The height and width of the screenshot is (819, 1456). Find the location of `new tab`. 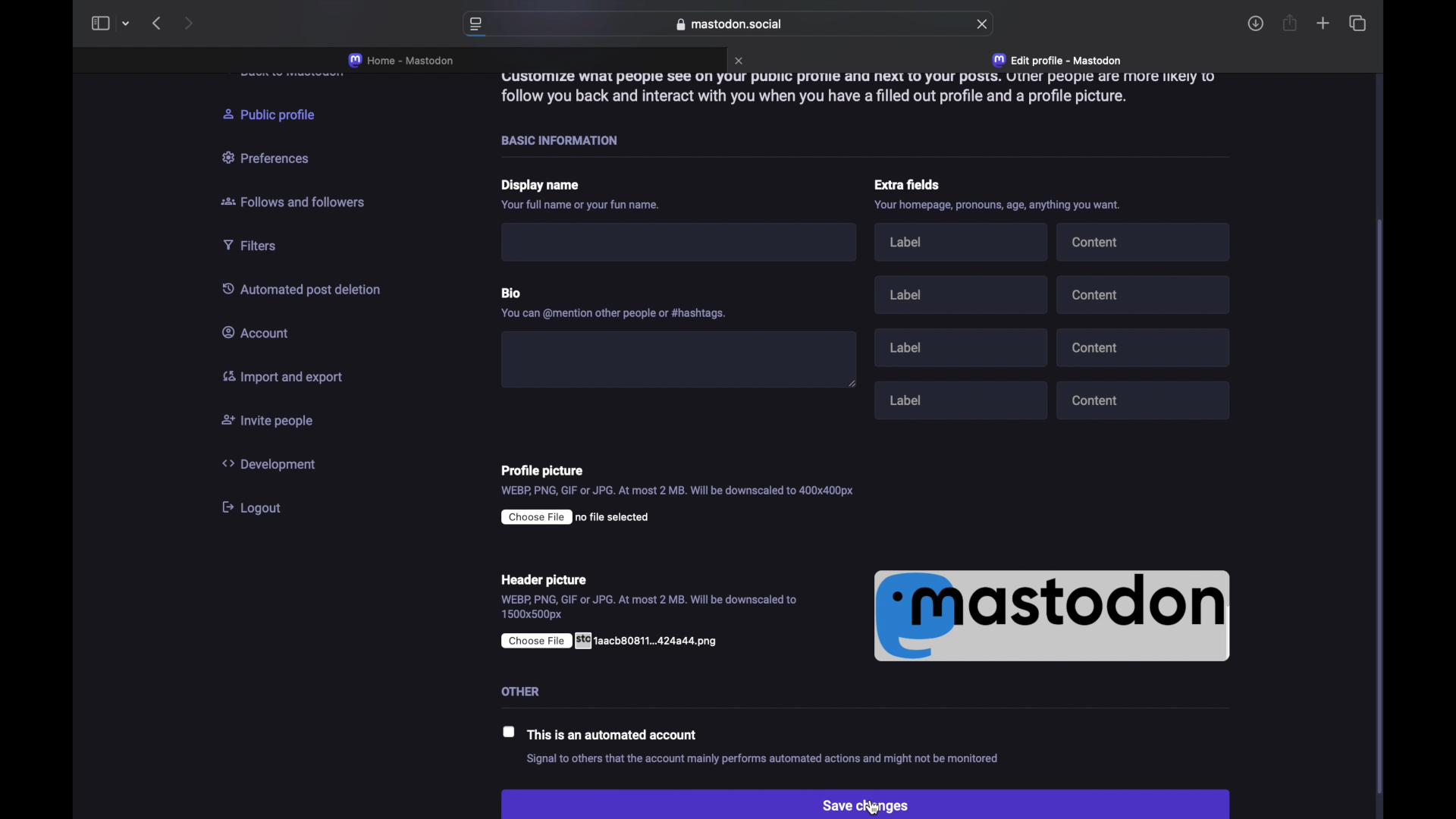

new tab is located at coordinates (1323, 25).